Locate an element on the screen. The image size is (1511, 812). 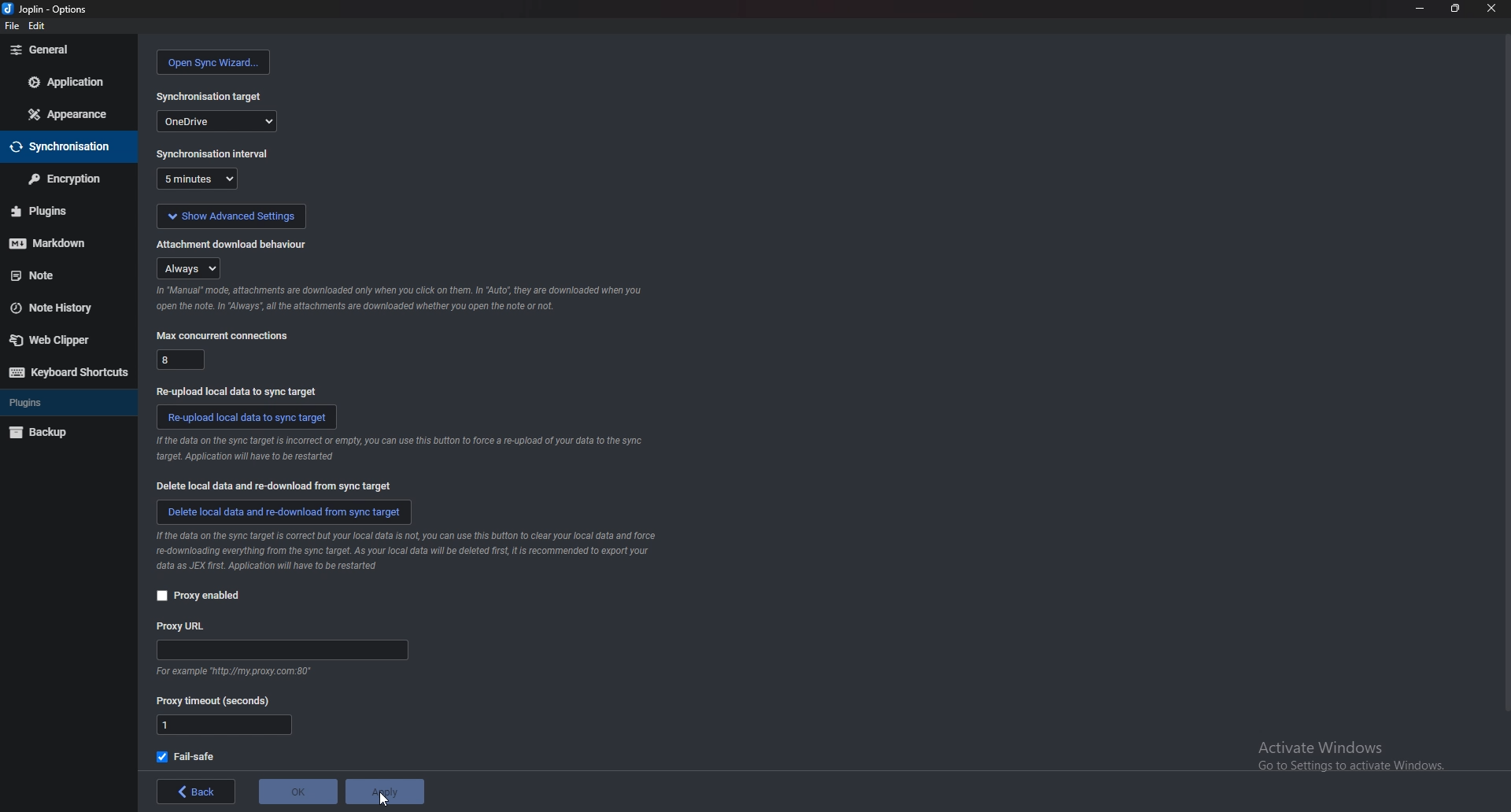
sync interval is located at coordinates (212, 153).